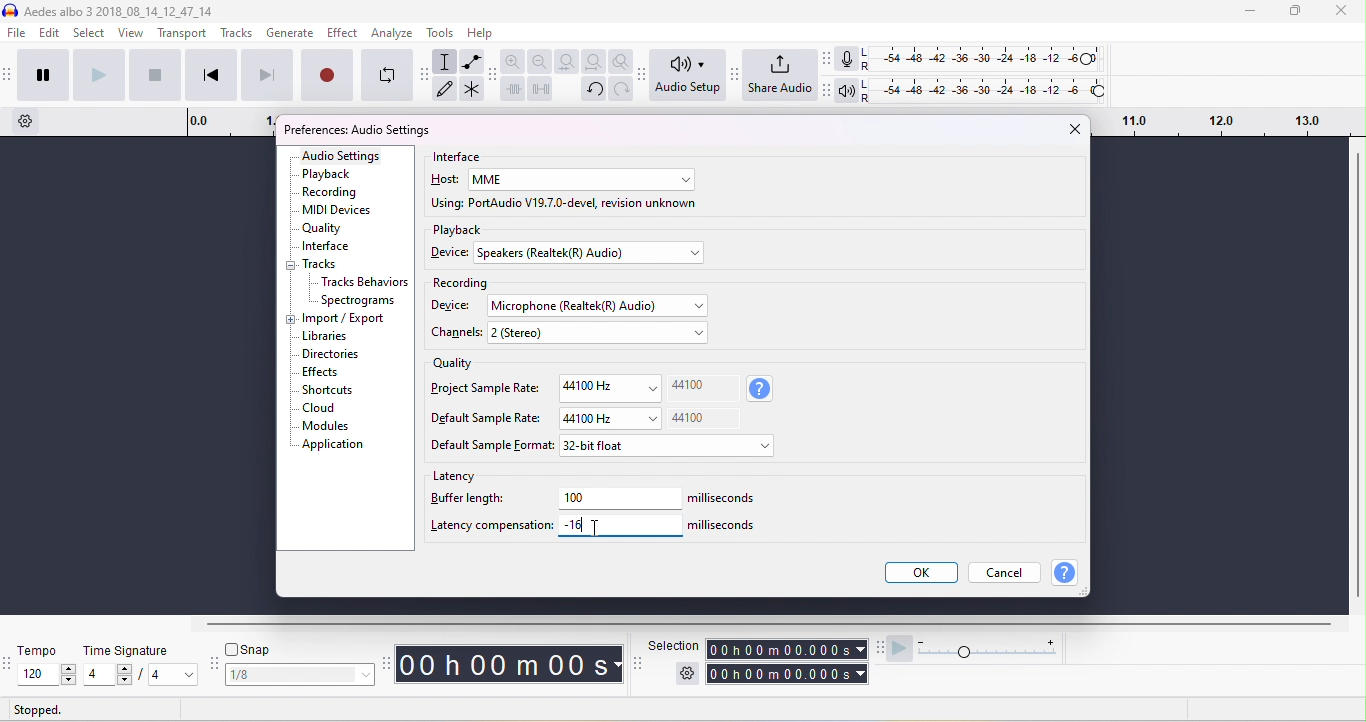  Describe the element at coordinates (989, 59) in the screenshot. I see `recording level` at that location.